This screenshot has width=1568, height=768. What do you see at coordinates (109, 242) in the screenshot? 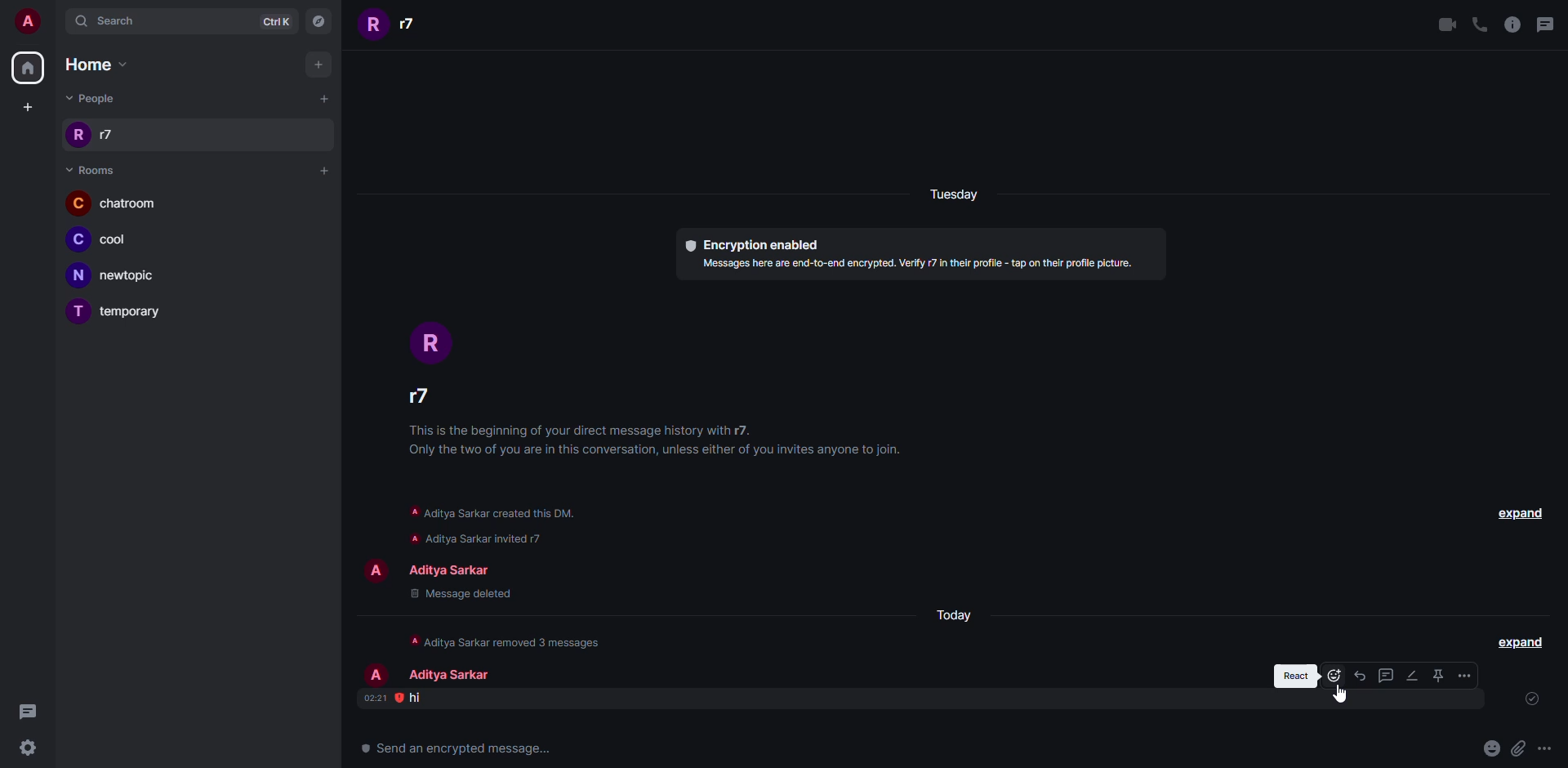
I see `room` at bounding box center [109, 242].